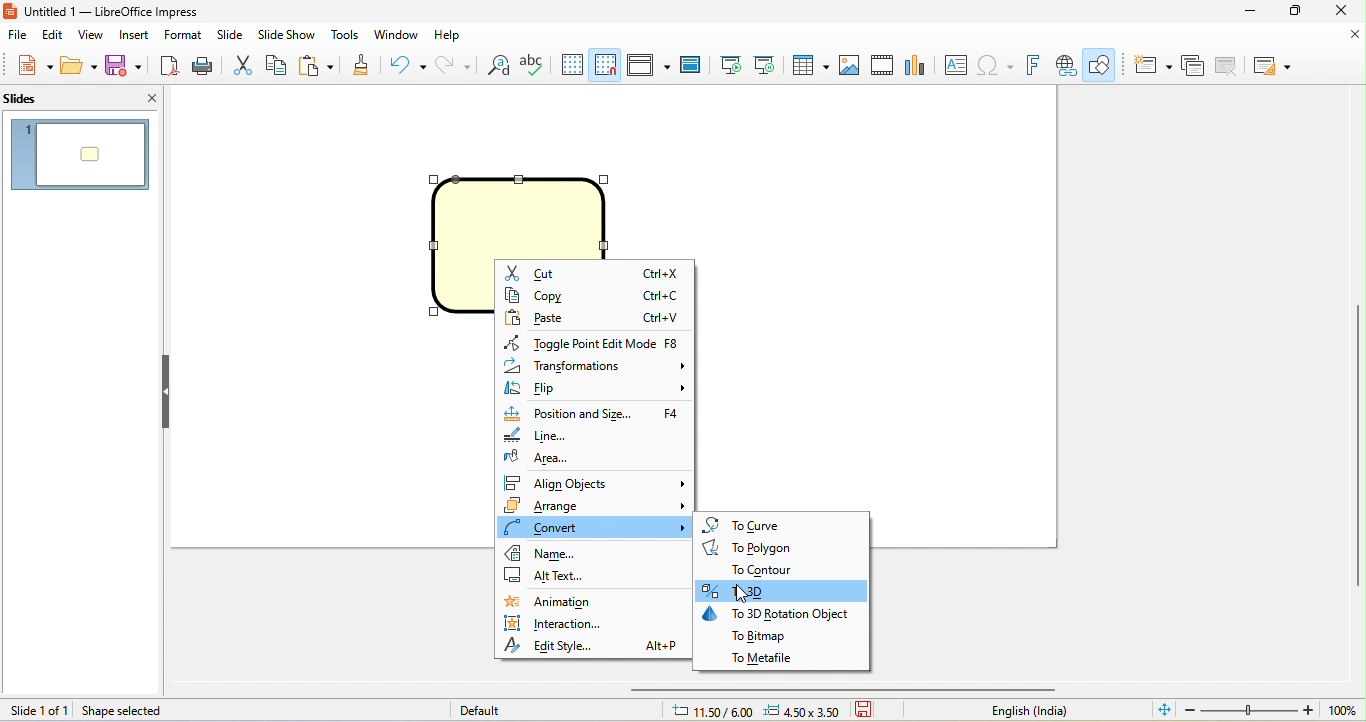 The height and width of the screenshot is (722, 1366). What do you see at coordinates (536, 64) in the screenshot?
I see `spelling` at bounding box center [536, 64].